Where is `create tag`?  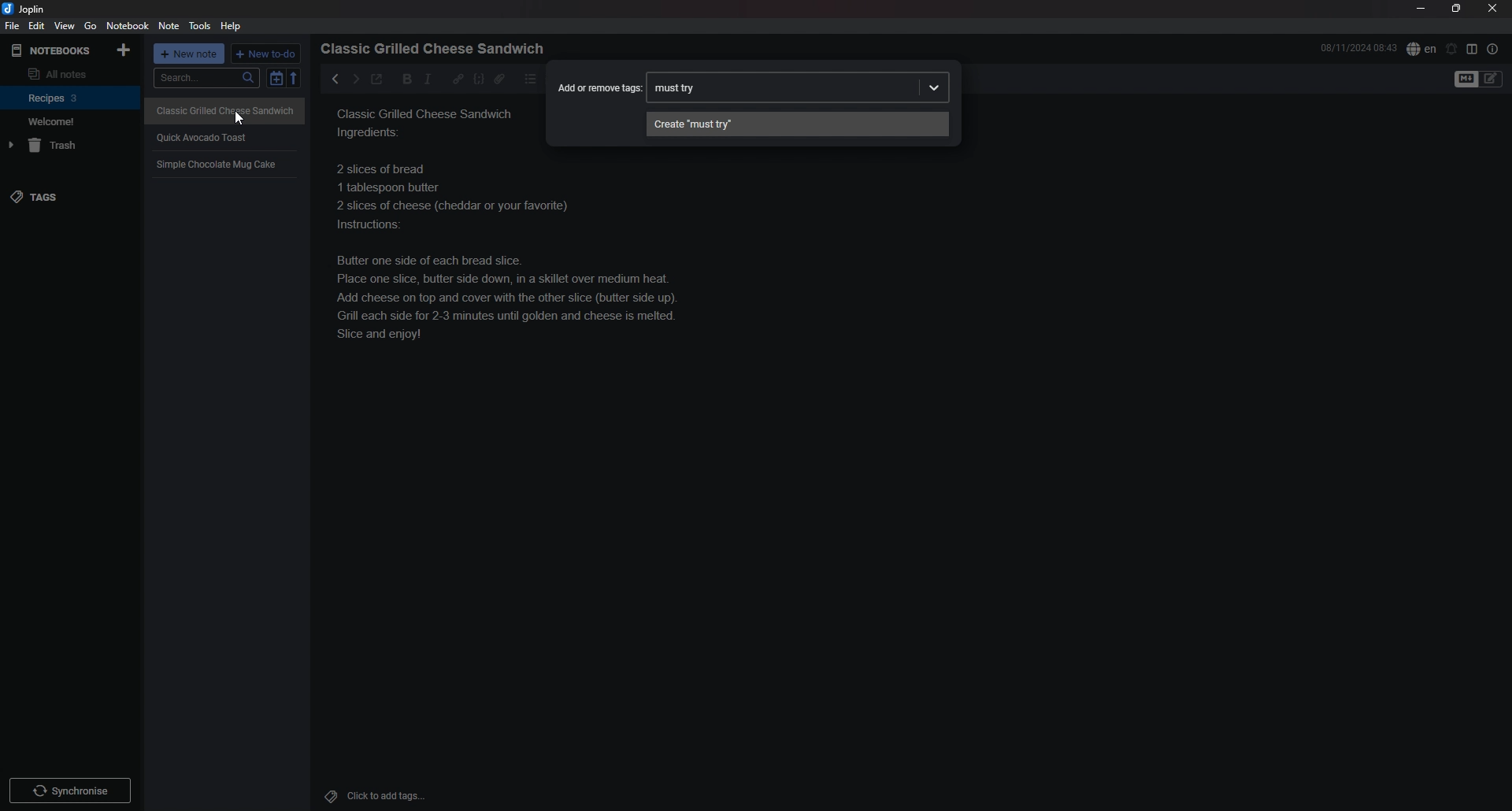 create tag is located at coordinates (797, 124).